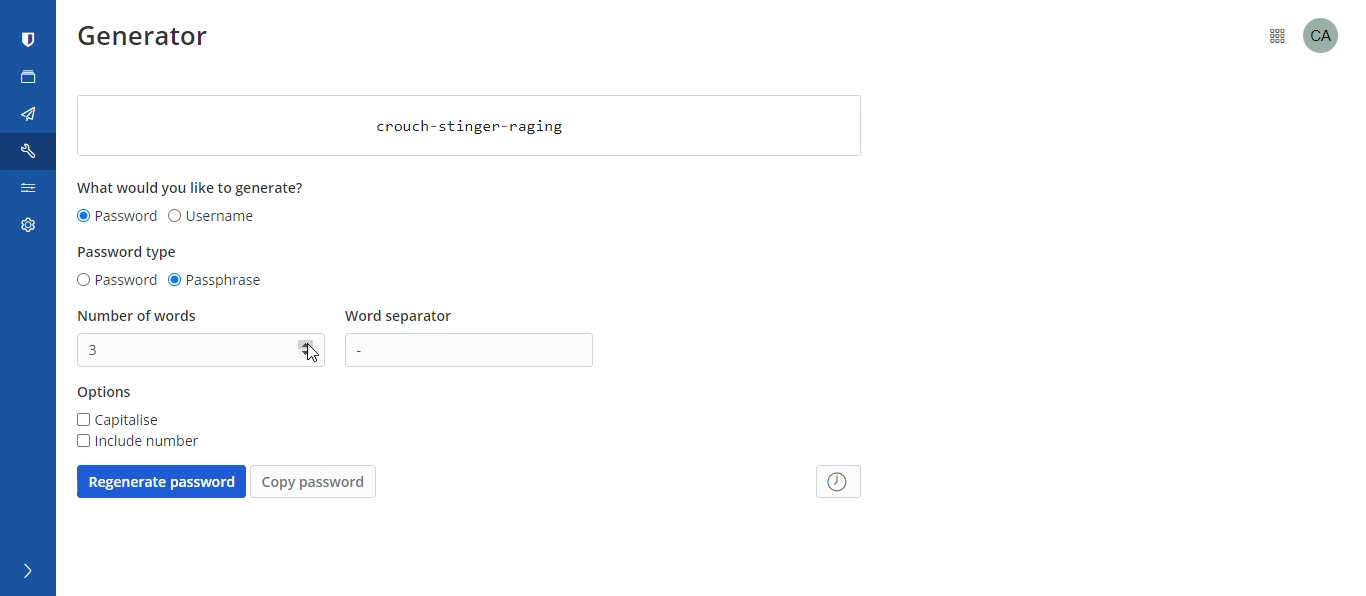  What do you see at coordinates (150, 40) in the screenshot?
I see `generator` at bounding box center [150, 40].